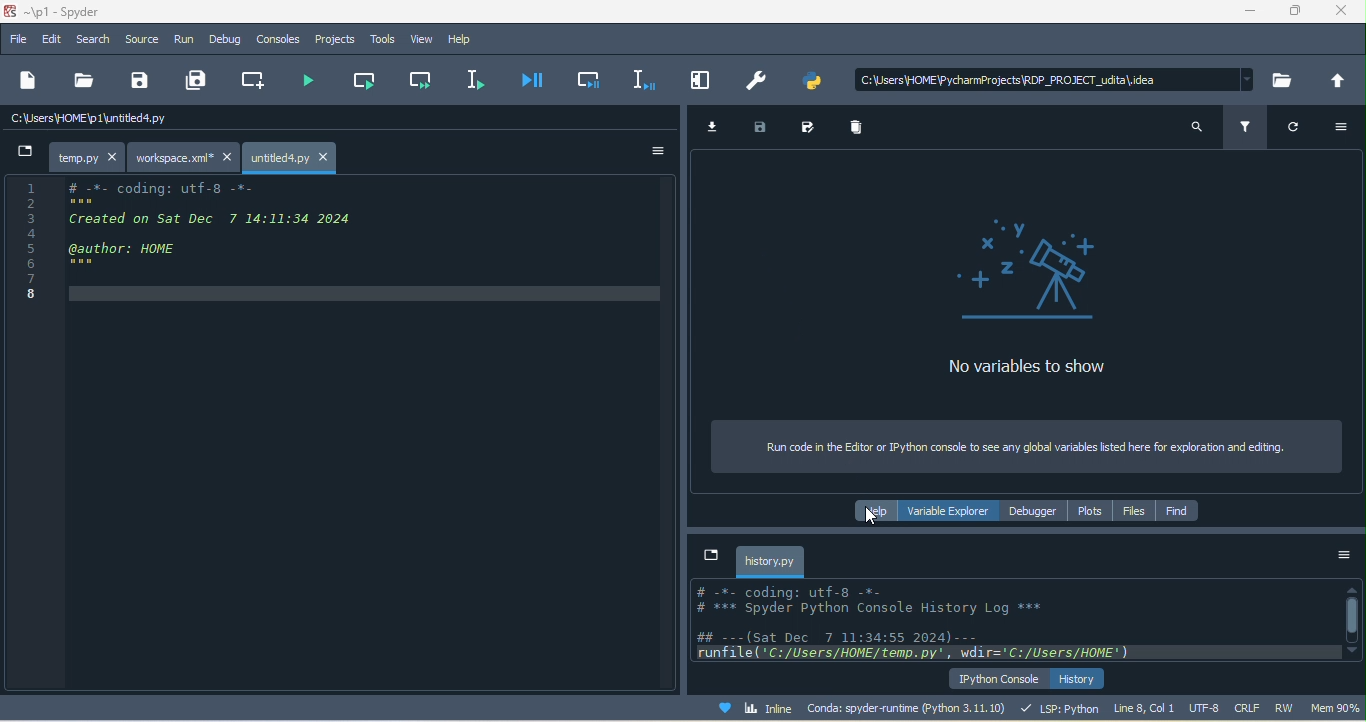 The width and height of the screenshot is (1366, 722). I want to click on consoles, so click(279, 40).